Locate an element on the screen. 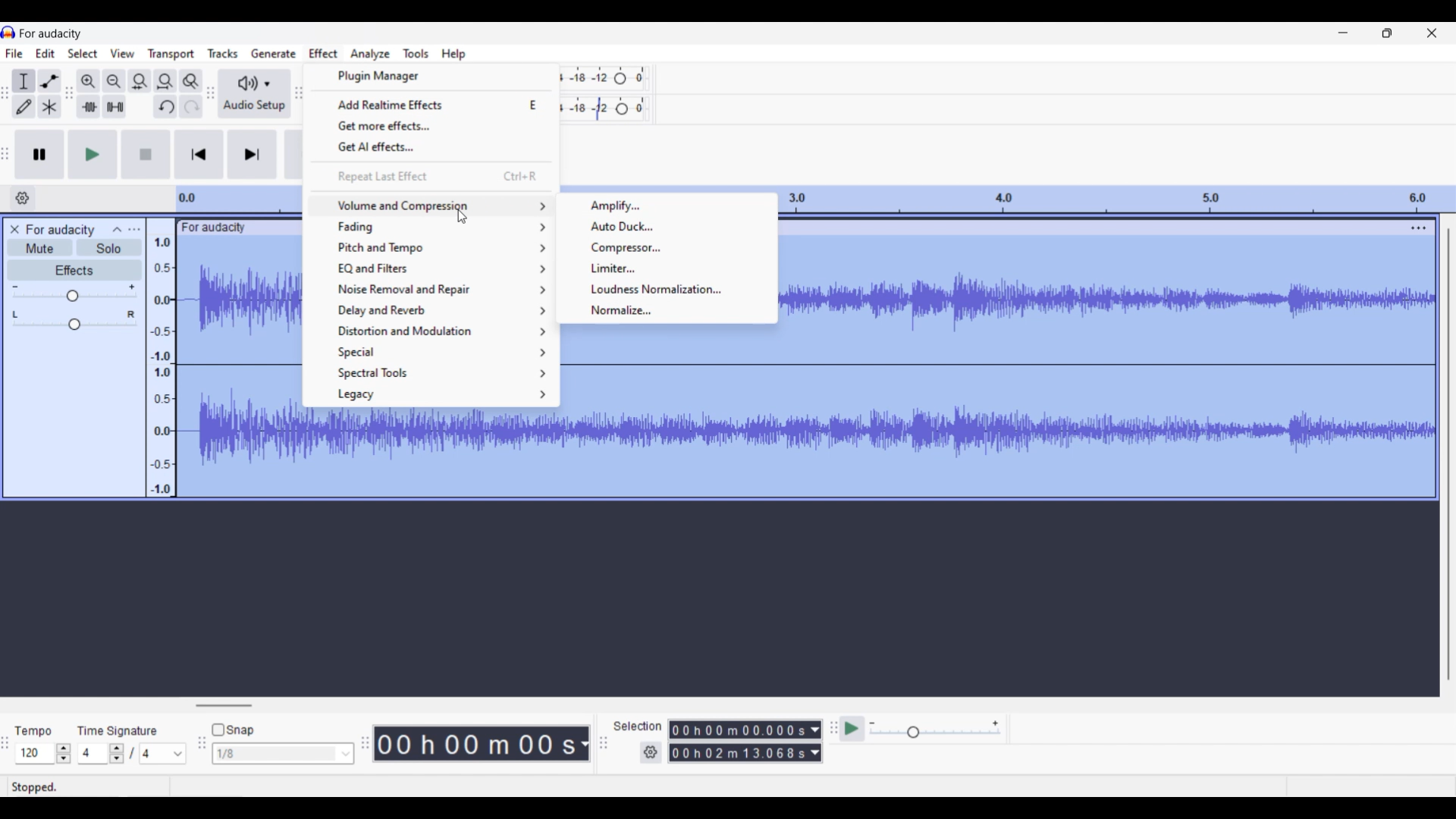  Get AI effects is located at coordinates (432, 148).